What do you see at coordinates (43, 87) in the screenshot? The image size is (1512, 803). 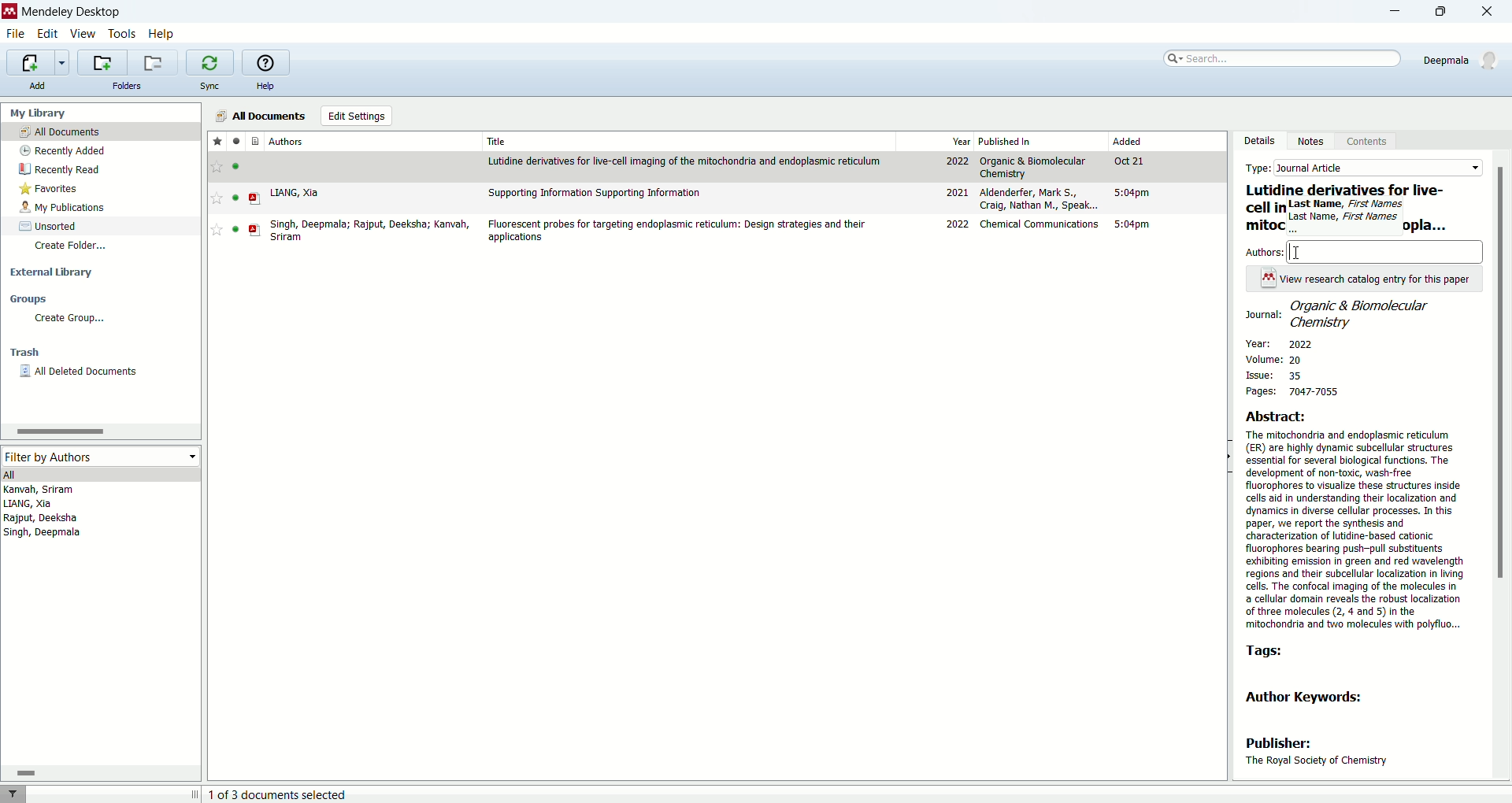 I see `add` at bounding box center [43, 87].